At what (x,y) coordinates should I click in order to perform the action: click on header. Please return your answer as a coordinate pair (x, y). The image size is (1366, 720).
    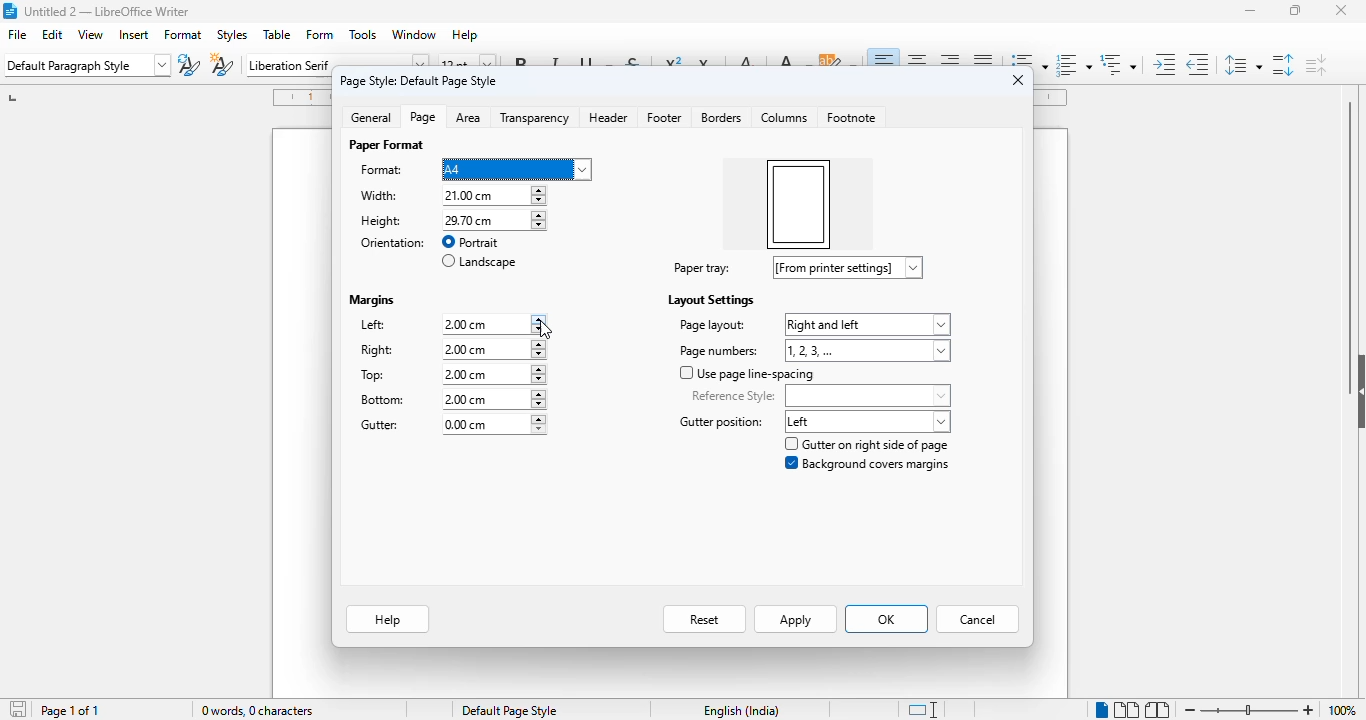
    Looking at the image, I should click on (608, 117).